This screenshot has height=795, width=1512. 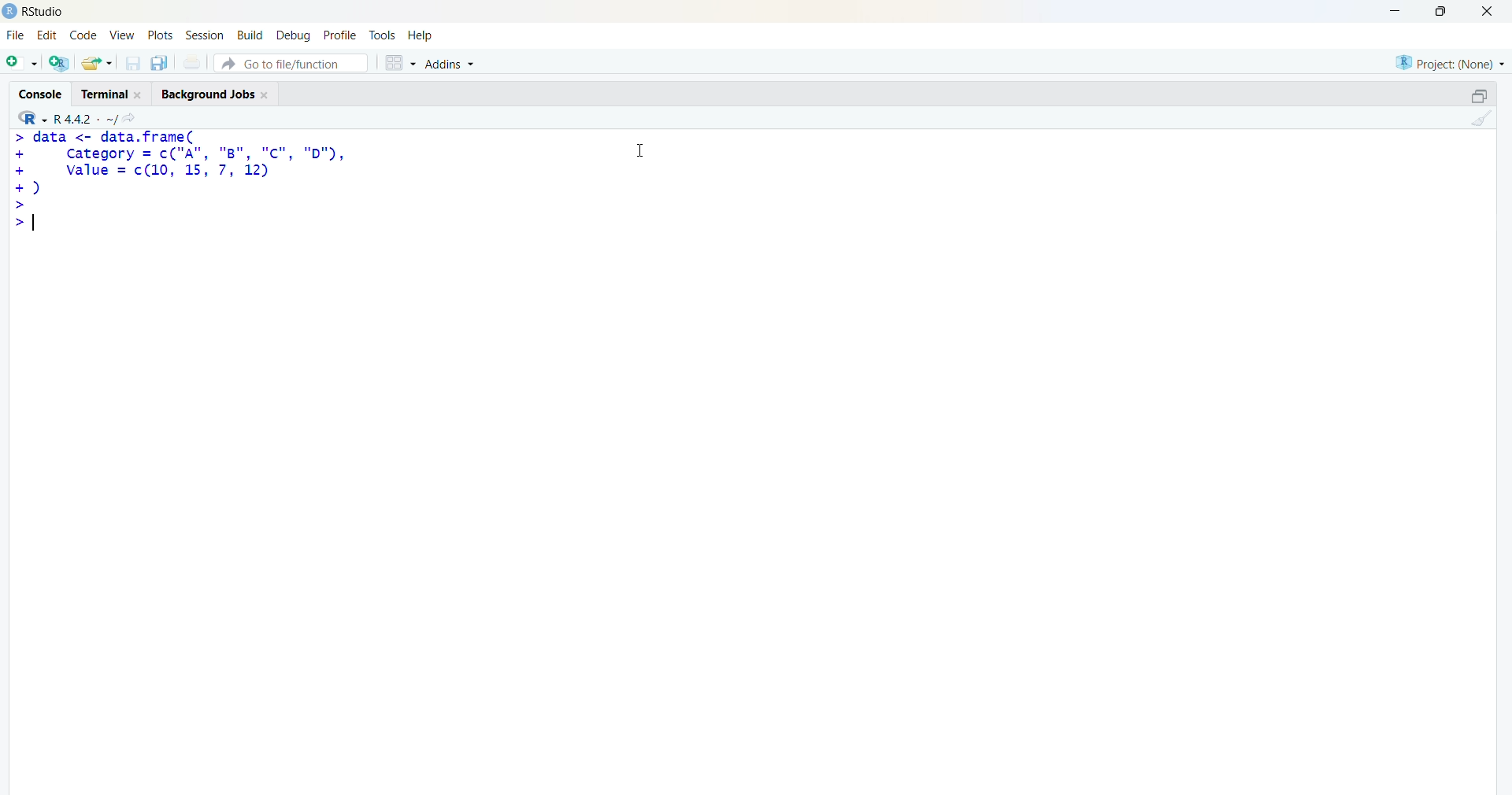 I want to click on go to directiory, so click(x=133, y=118).